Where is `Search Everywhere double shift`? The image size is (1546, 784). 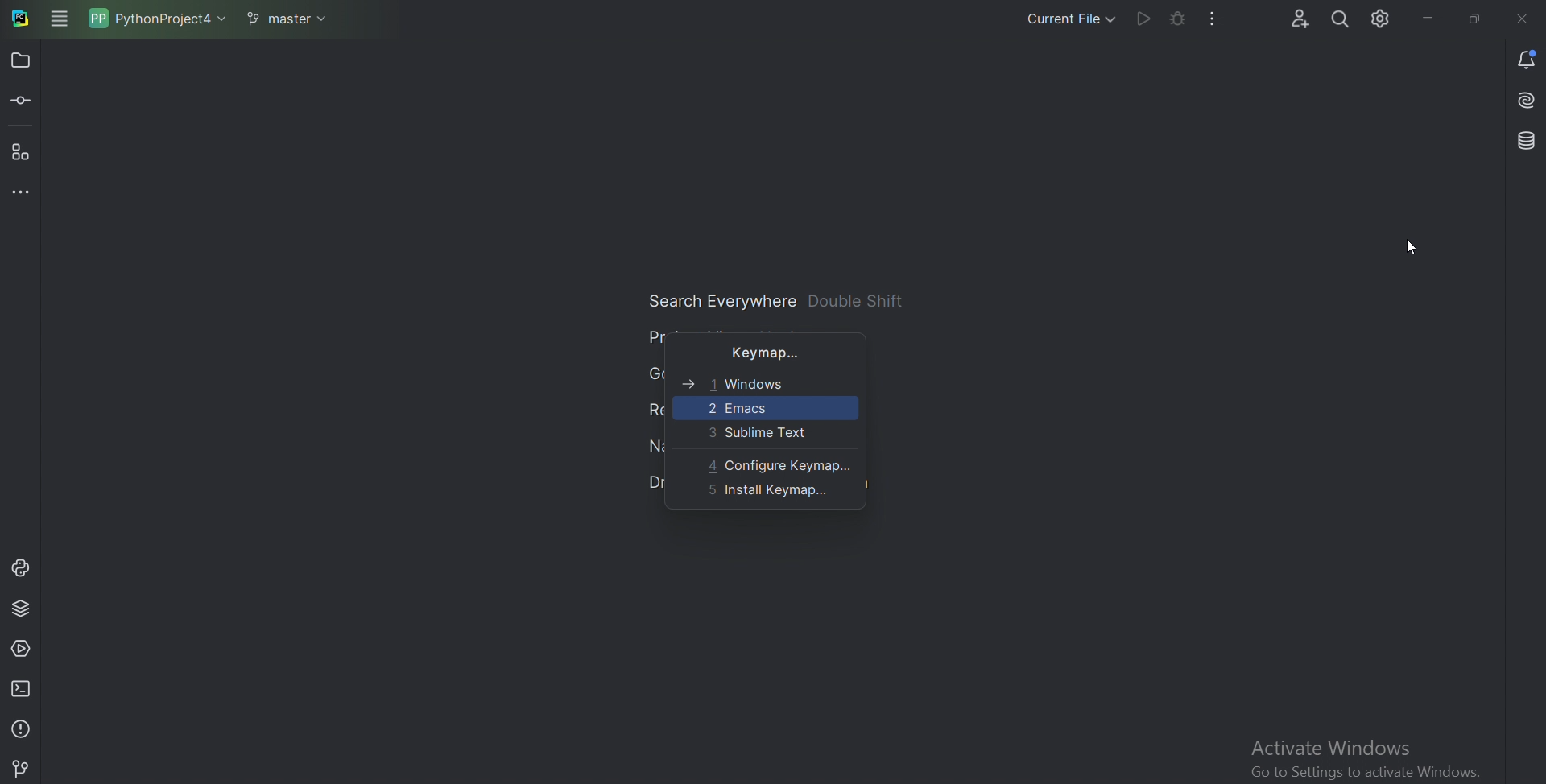 Search Everywhere double shift is located at coordinates (772, 296).